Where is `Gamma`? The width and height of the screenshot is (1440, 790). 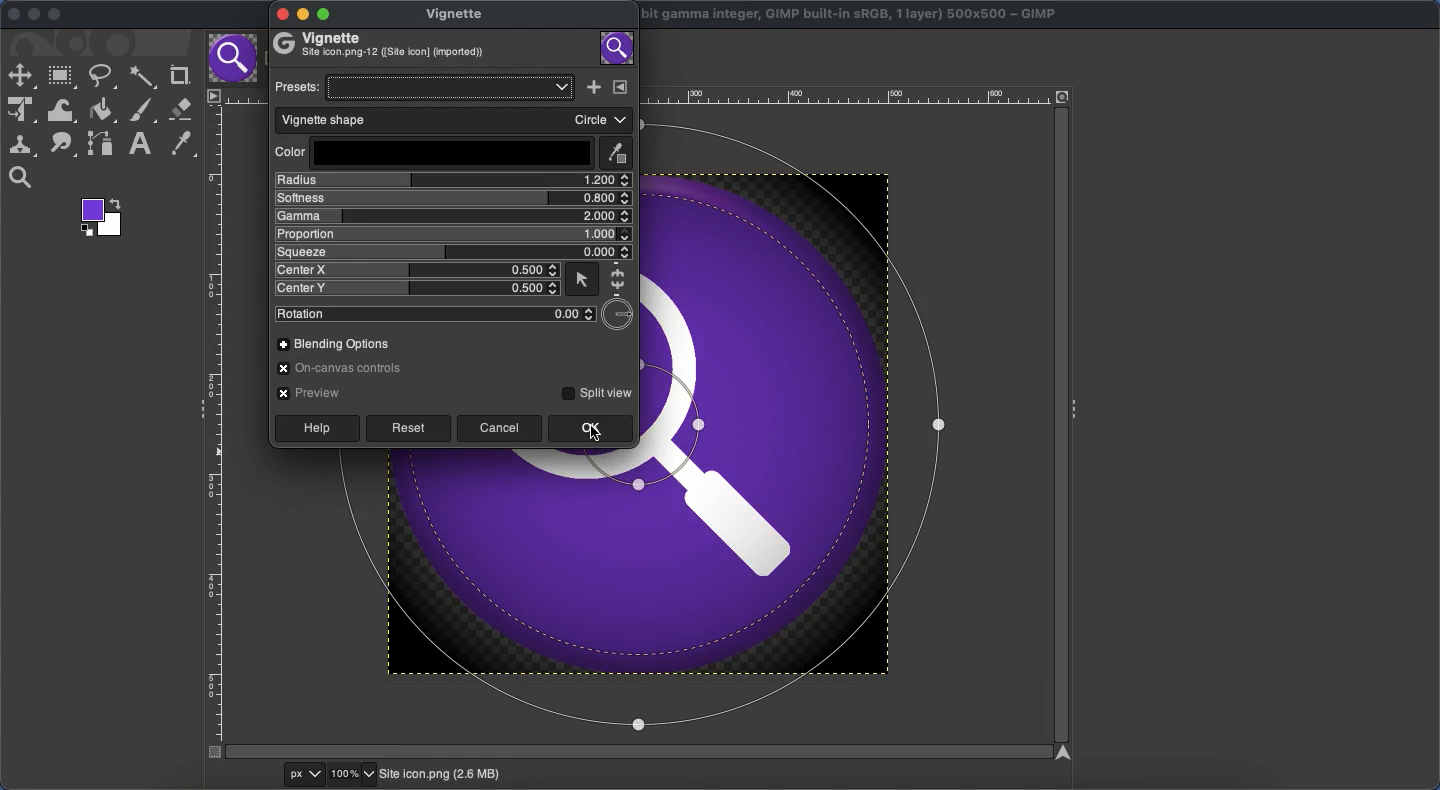
Gamma is located at coordinates (449, 217).